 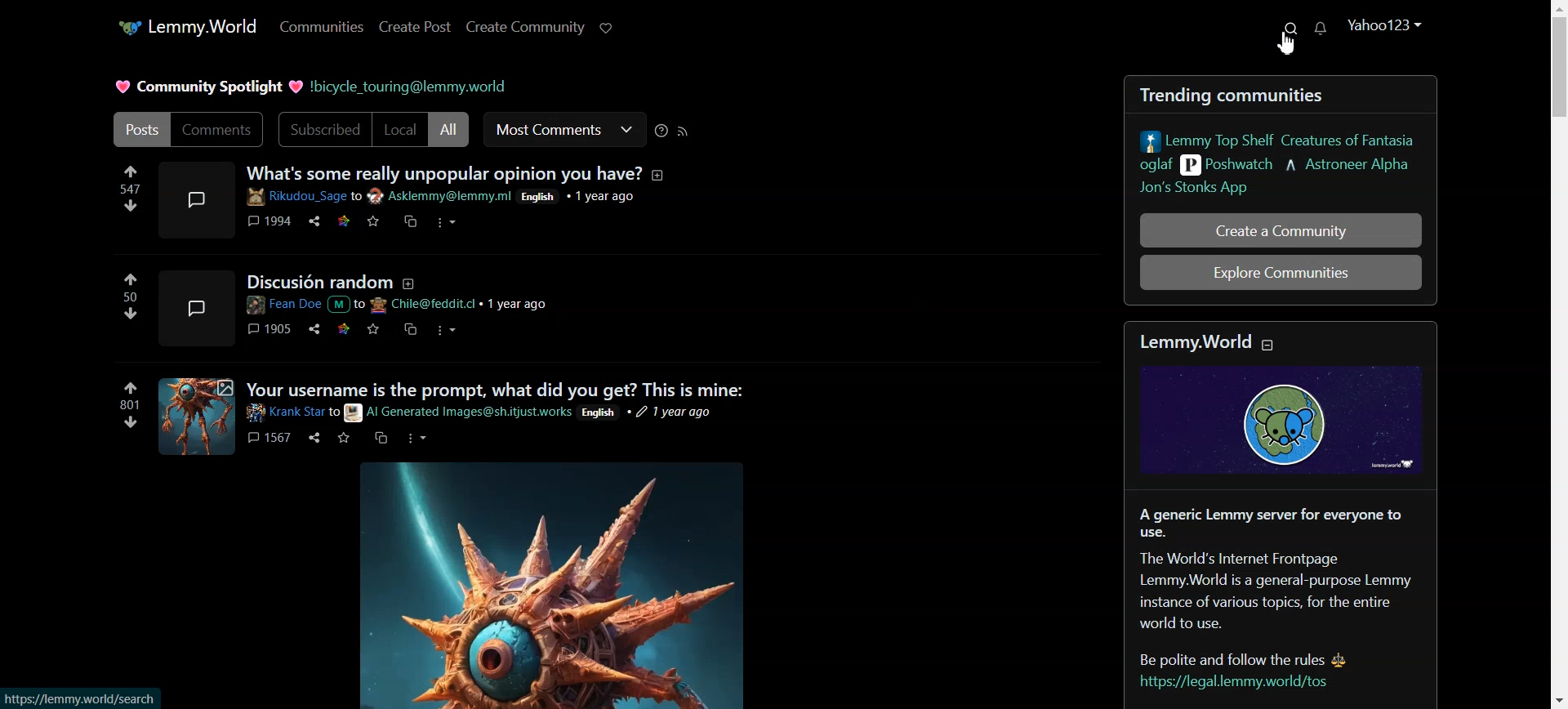 What do you see at coordinates (1283, 230) in the screenshot?
I see `Create a Community` at bounding box center [1283, 230].